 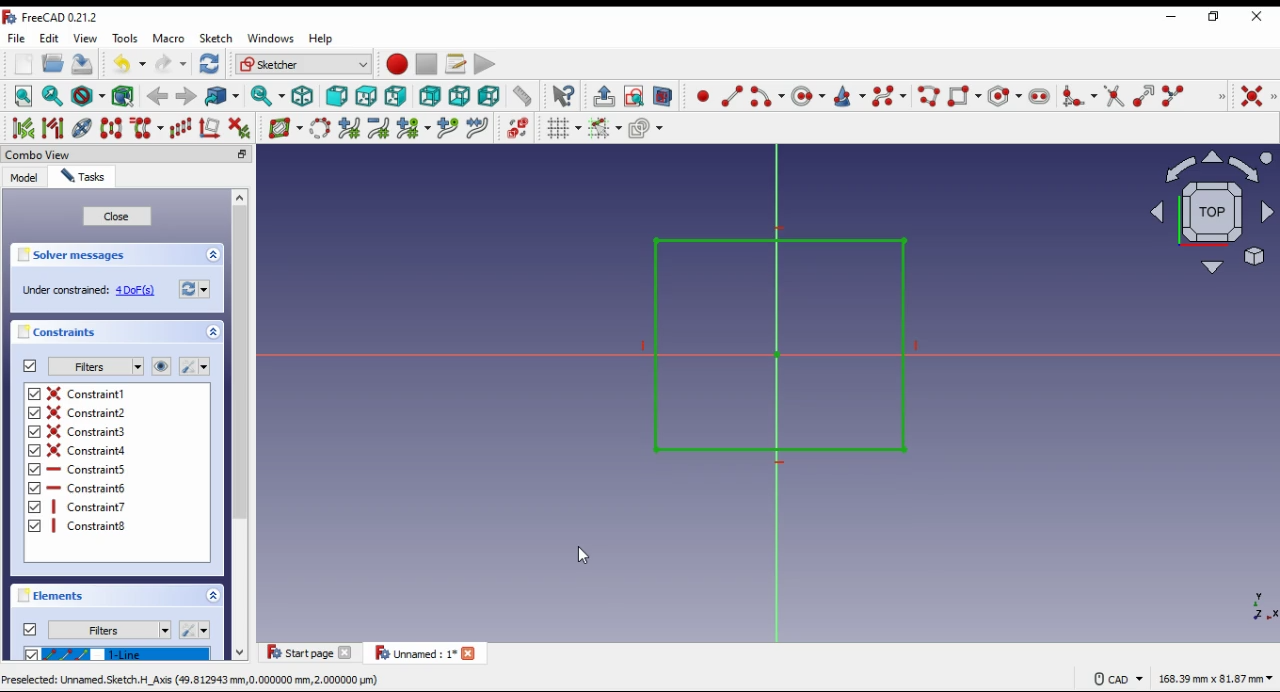 I want to click on remove all axes alignment, so click(x=210, y=127).